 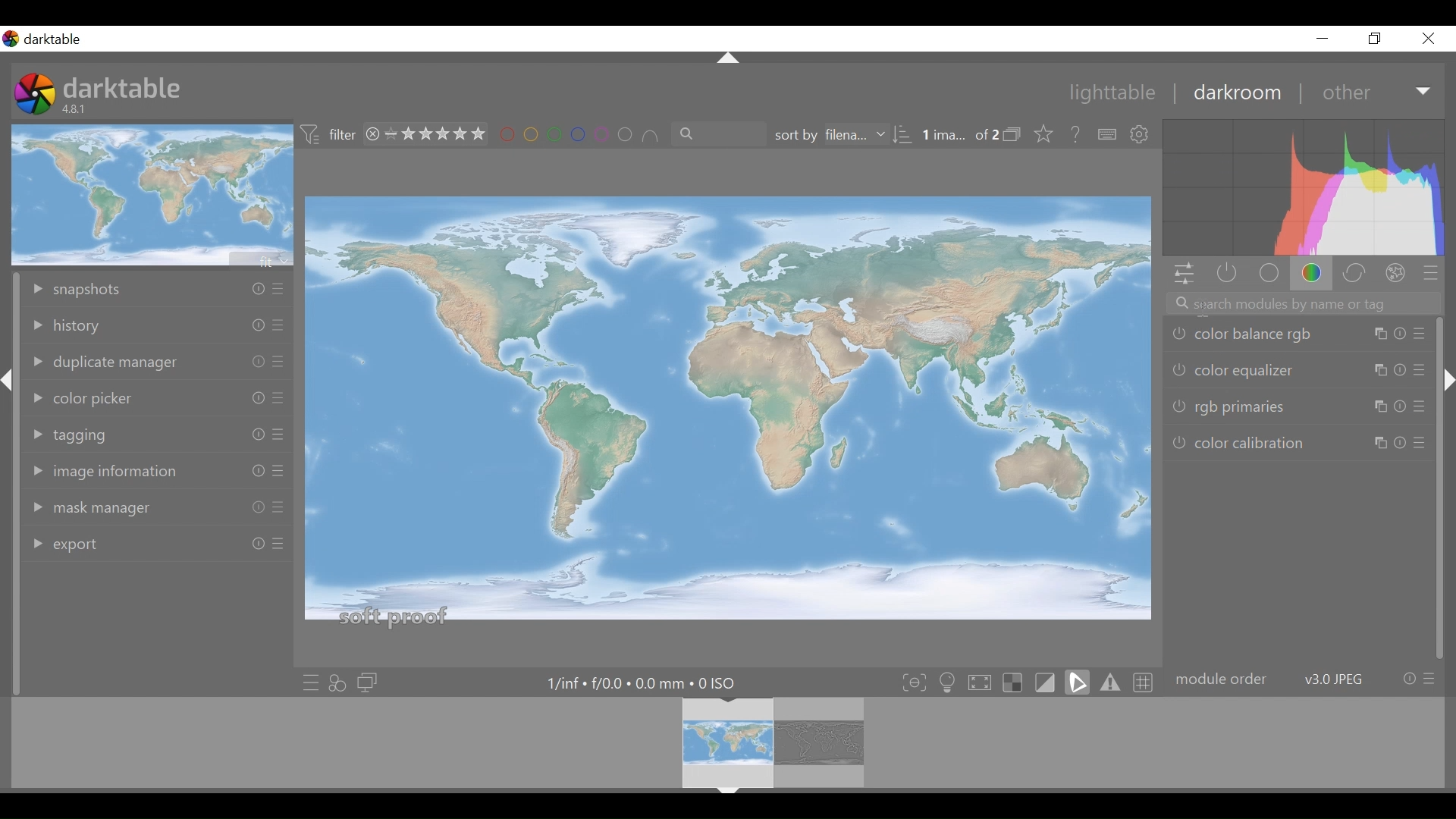 I want to click on icon, so click(x=1012, y=133).